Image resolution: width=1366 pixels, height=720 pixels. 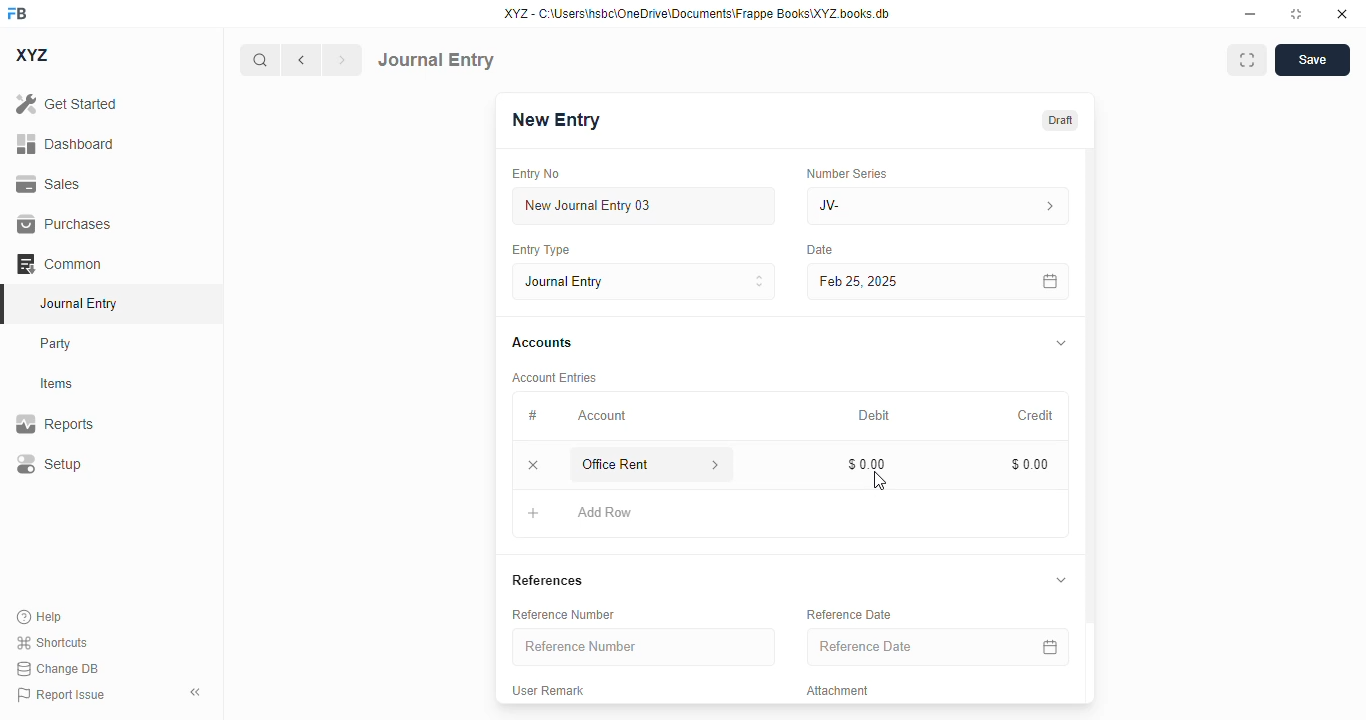 I want to click on reports, so click(x=55, y=423).